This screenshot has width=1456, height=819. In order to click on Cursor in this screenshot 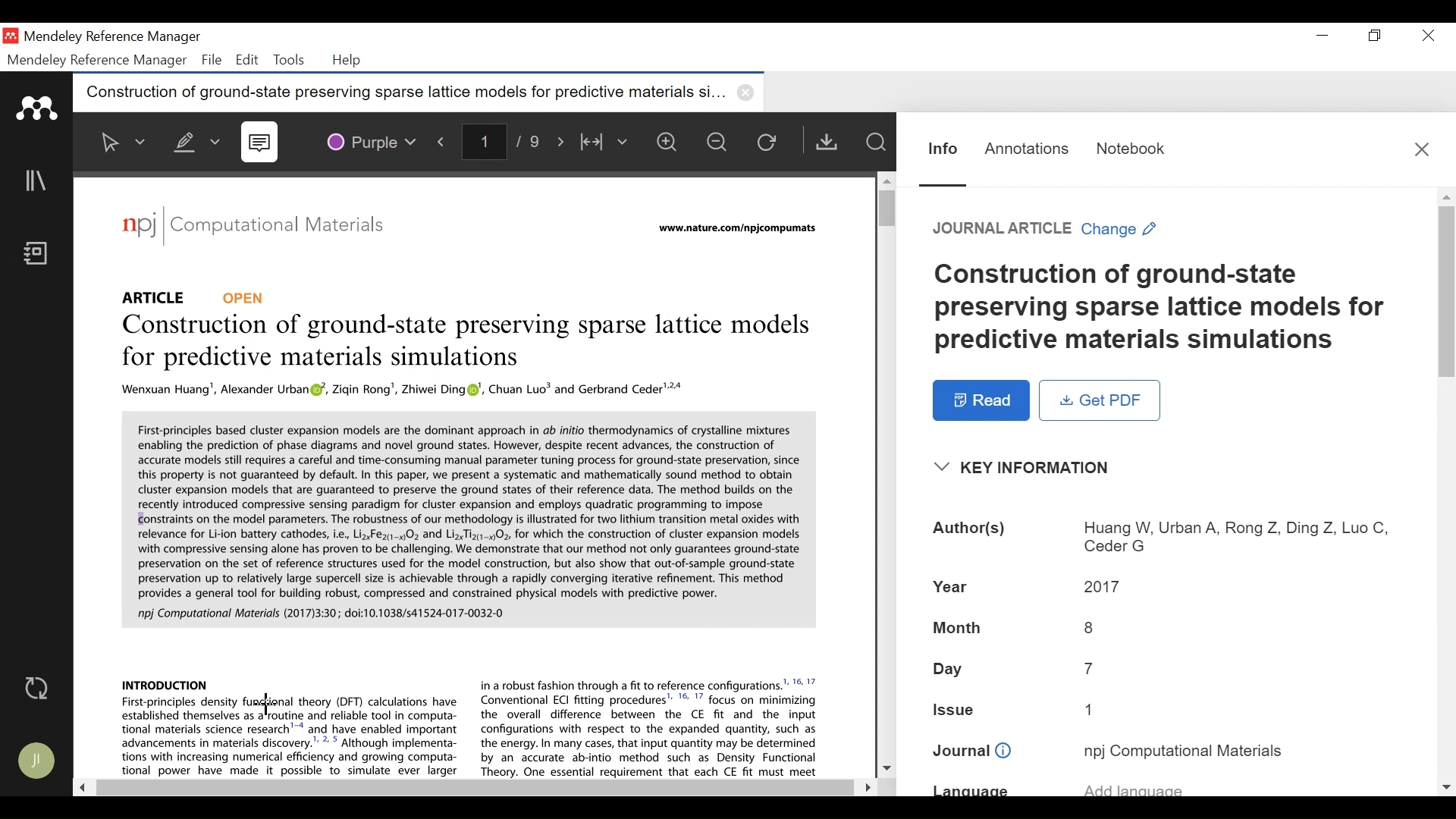, I will do `click(266, 704)`.